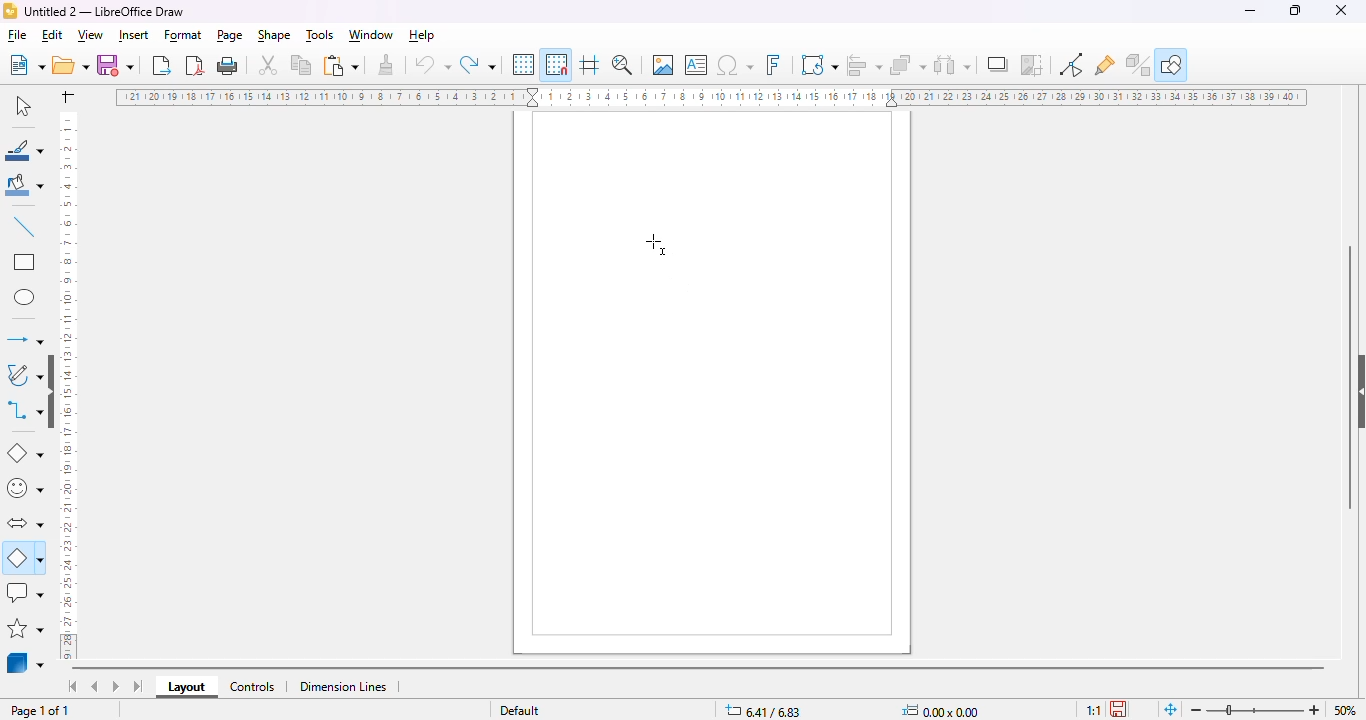 The height and width of the screenshot is (720, 1366). Describe the element at coordinates (1347, 378) in the screenshot. I see `vertical scroll bar` at that location.